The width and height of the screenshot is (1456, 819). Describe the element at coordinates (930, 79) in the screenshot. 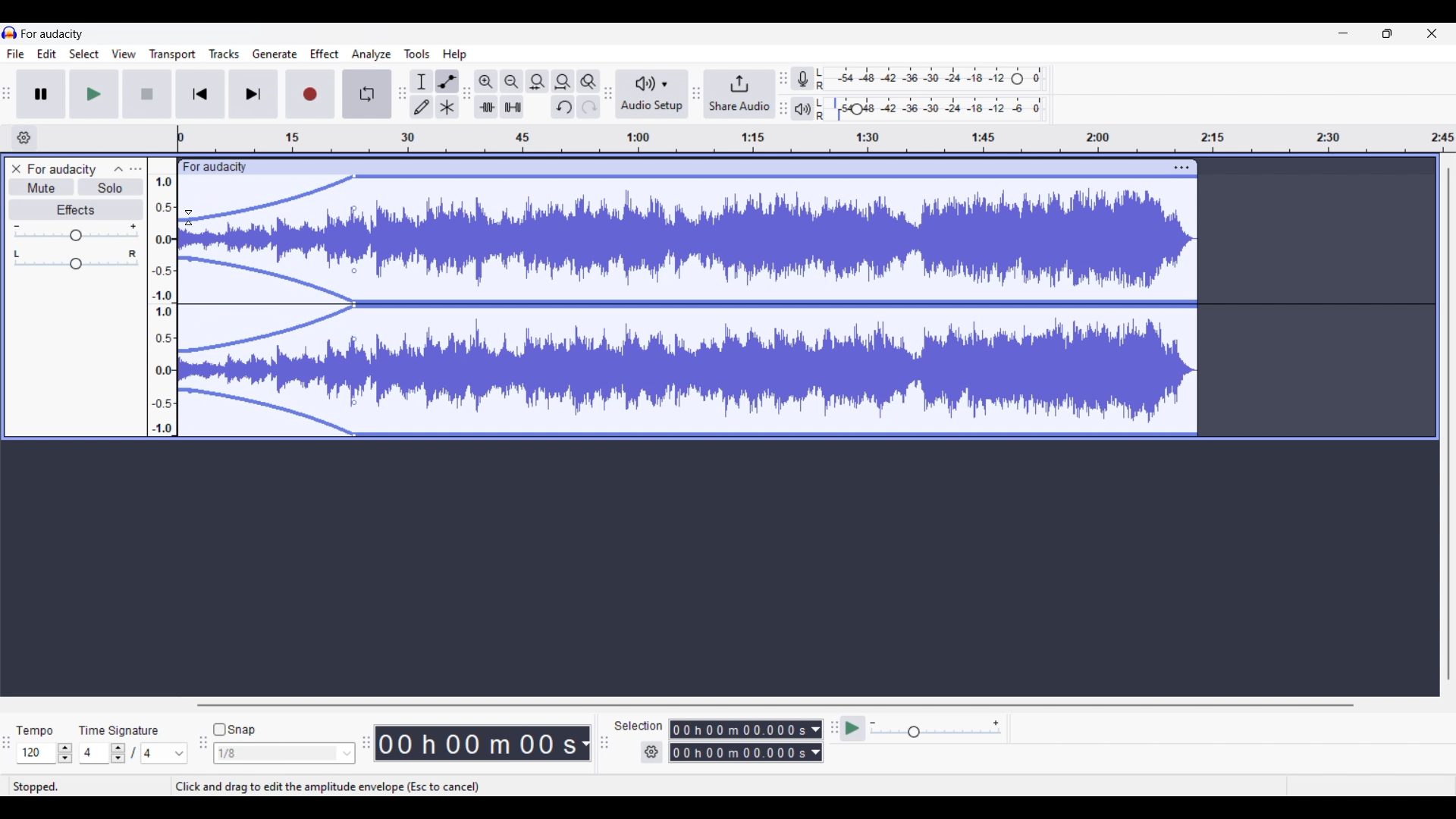

I see `Recording level` at that location.